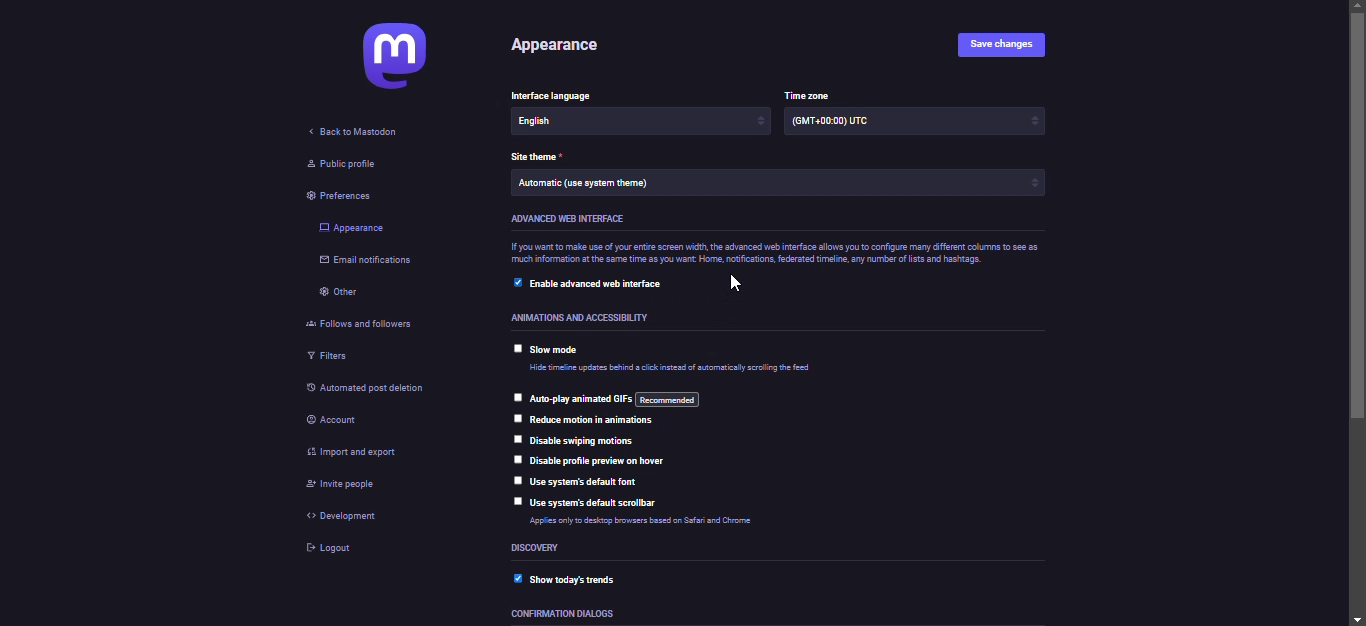 This screenshot has height=626, width=1366. Describe the element at coordinates (536, 159) in the screenshot. I see `theme` at that location.